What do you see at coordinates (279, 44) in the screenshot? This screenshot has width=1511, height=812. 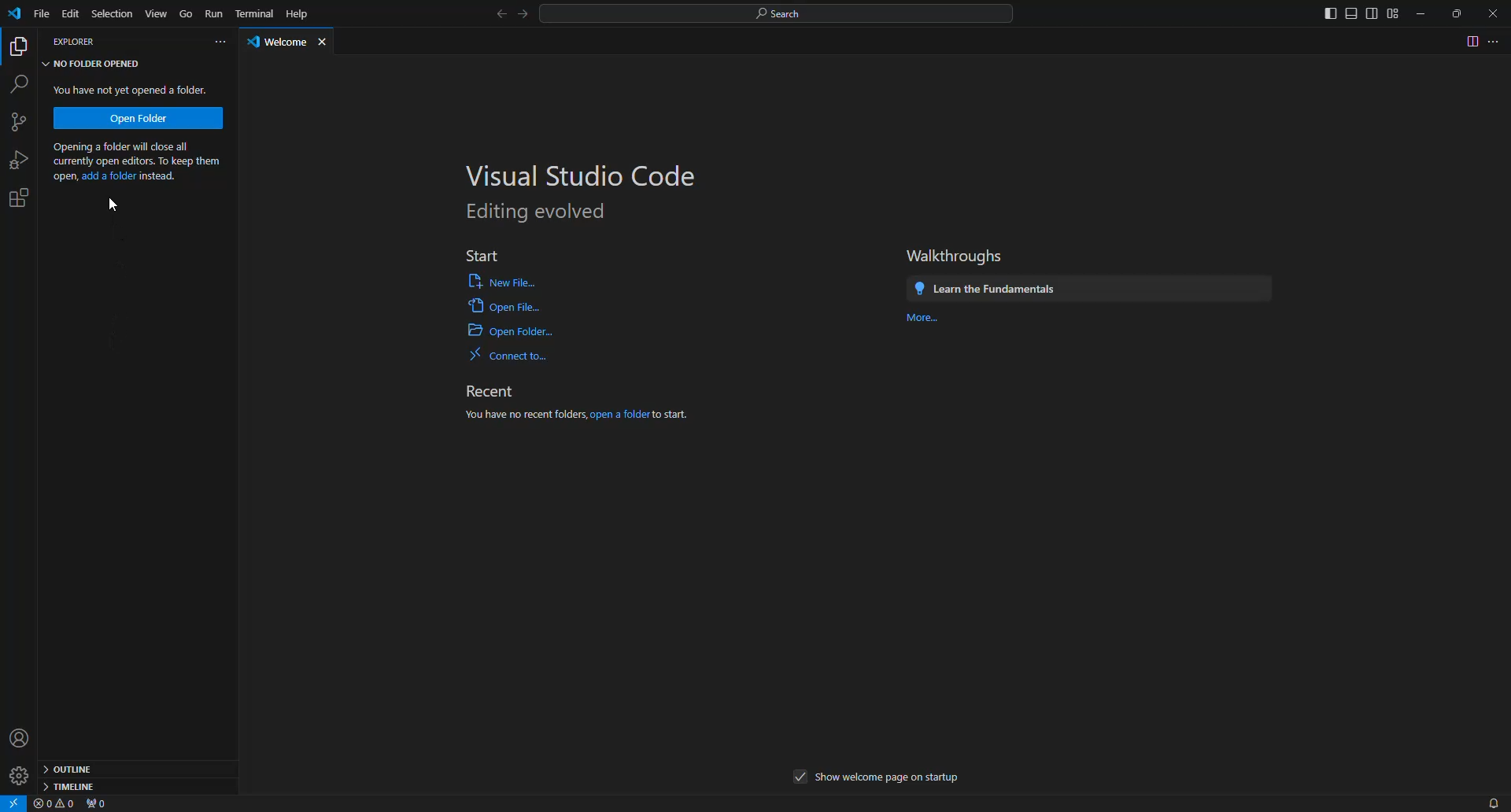 I see `welcome` at bounding box center [279, 44].